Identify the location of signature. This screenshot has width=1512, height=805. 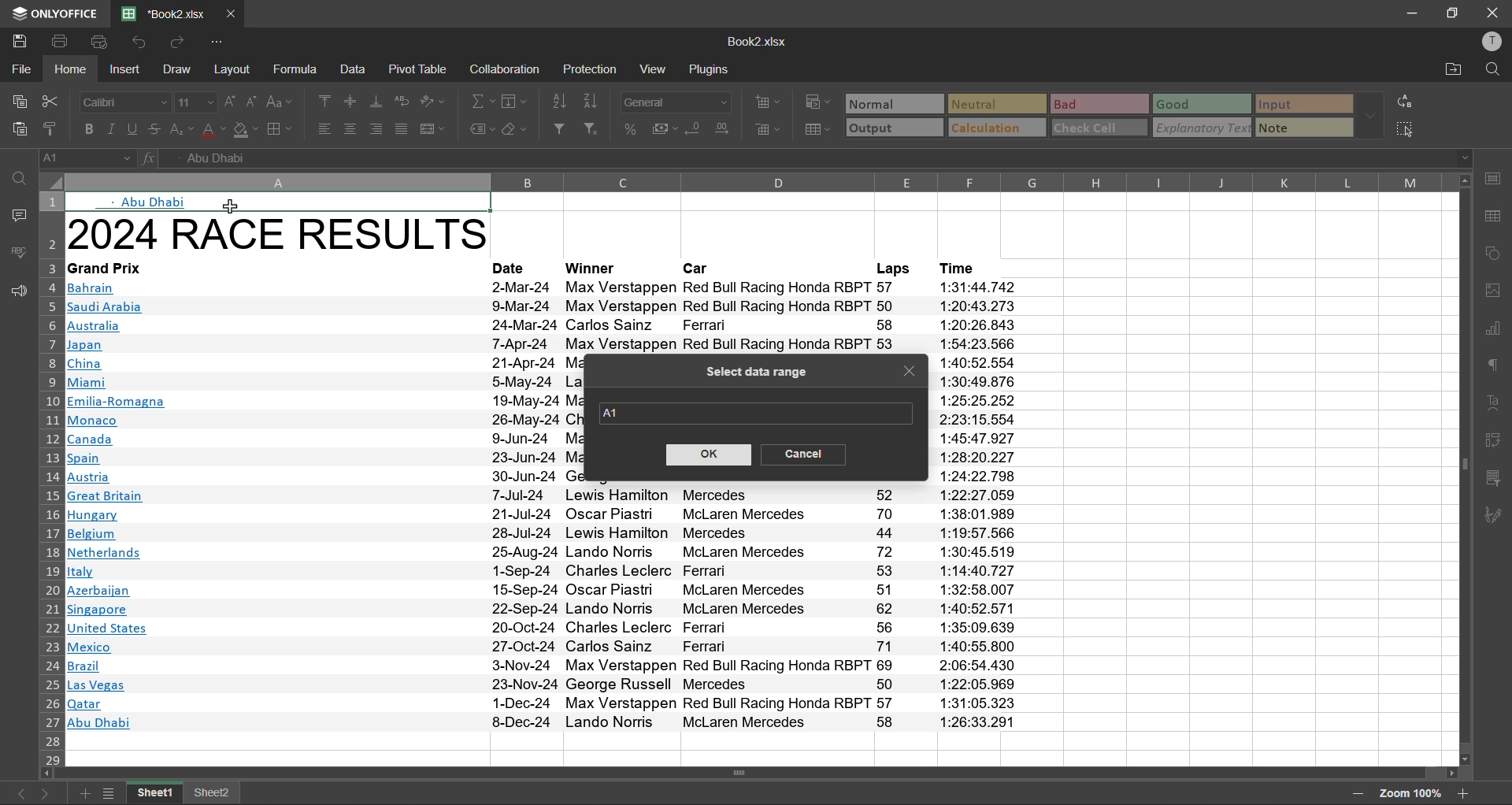
(1490, 518).